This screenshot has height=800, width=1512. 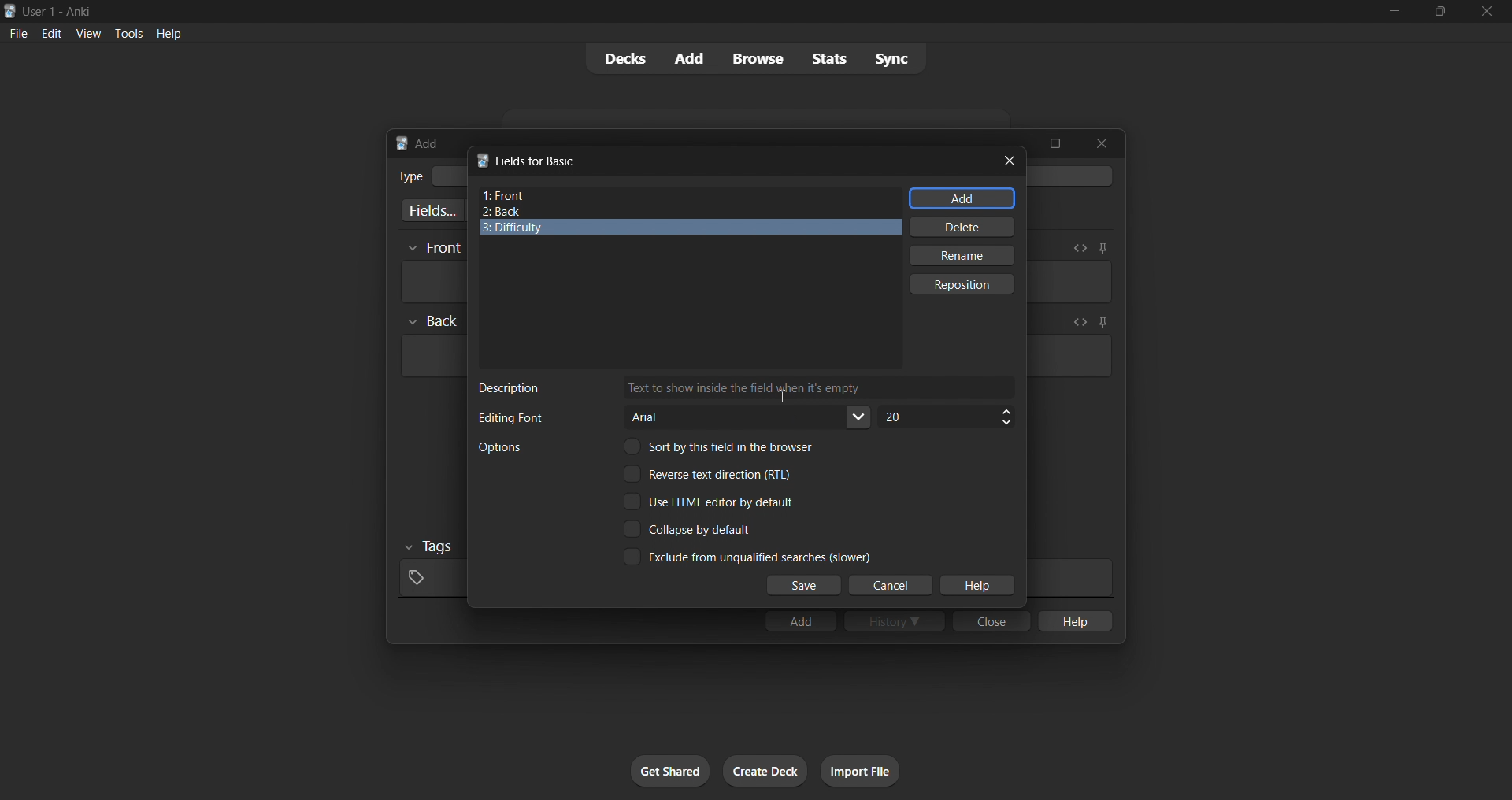 What do you see at coordinates (828, 58) in the screenshot?
I see `stats` at bounding box center [828, 58].